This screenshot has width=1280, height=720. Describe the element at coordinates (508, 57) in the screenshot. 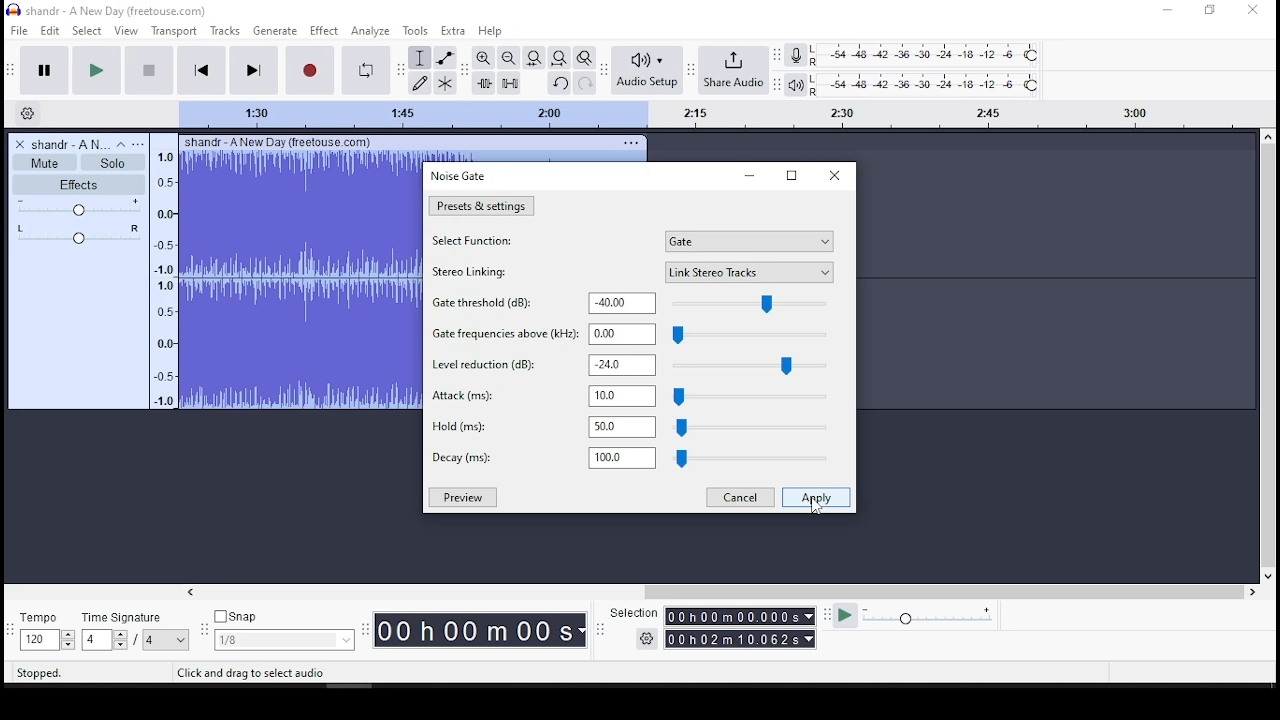

I see `zoom in` at that location.